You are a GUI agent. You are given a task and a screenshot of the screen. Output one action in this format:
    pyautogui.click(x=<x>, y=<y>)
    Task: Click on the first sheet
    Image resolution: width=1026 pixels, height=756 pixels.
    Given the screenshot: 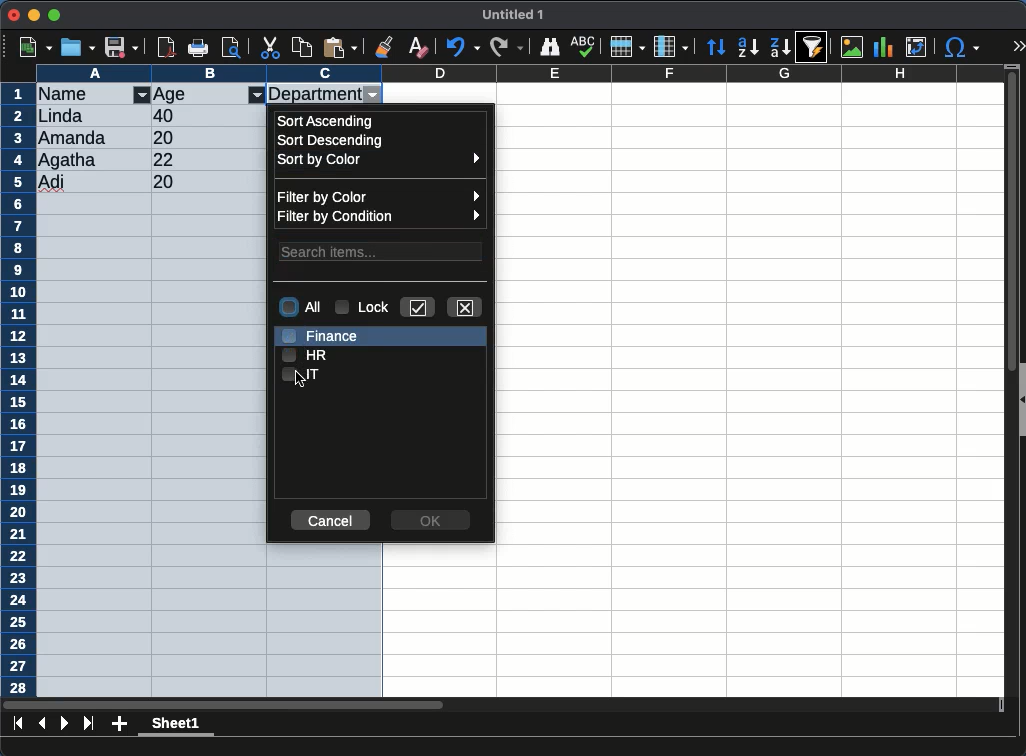 What is the action you would take?
    pyautogui.click(x=18, y=723)
    